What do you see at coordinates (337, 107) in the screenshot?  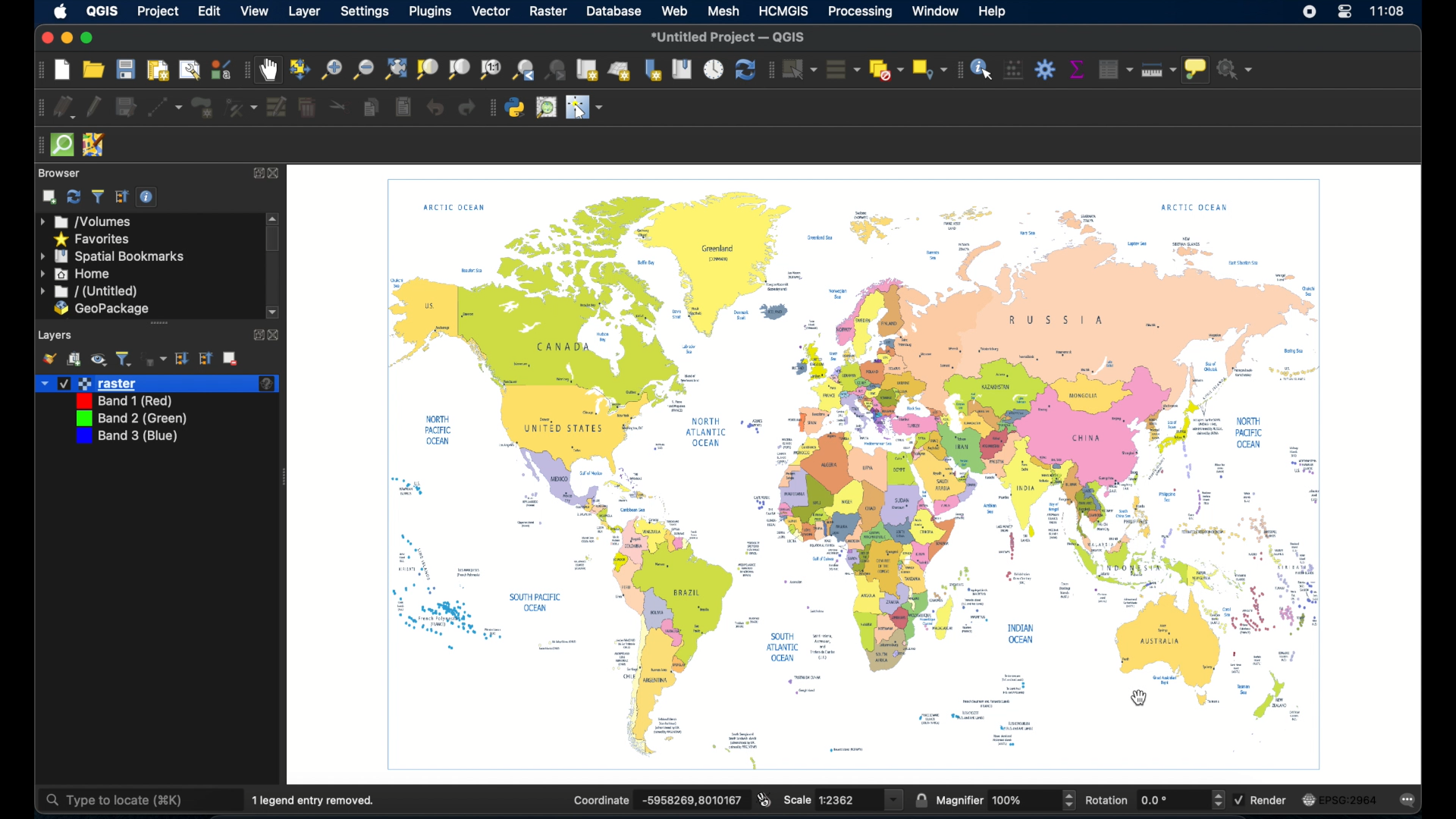 I see `cut features` at bounding box center [337, 107].